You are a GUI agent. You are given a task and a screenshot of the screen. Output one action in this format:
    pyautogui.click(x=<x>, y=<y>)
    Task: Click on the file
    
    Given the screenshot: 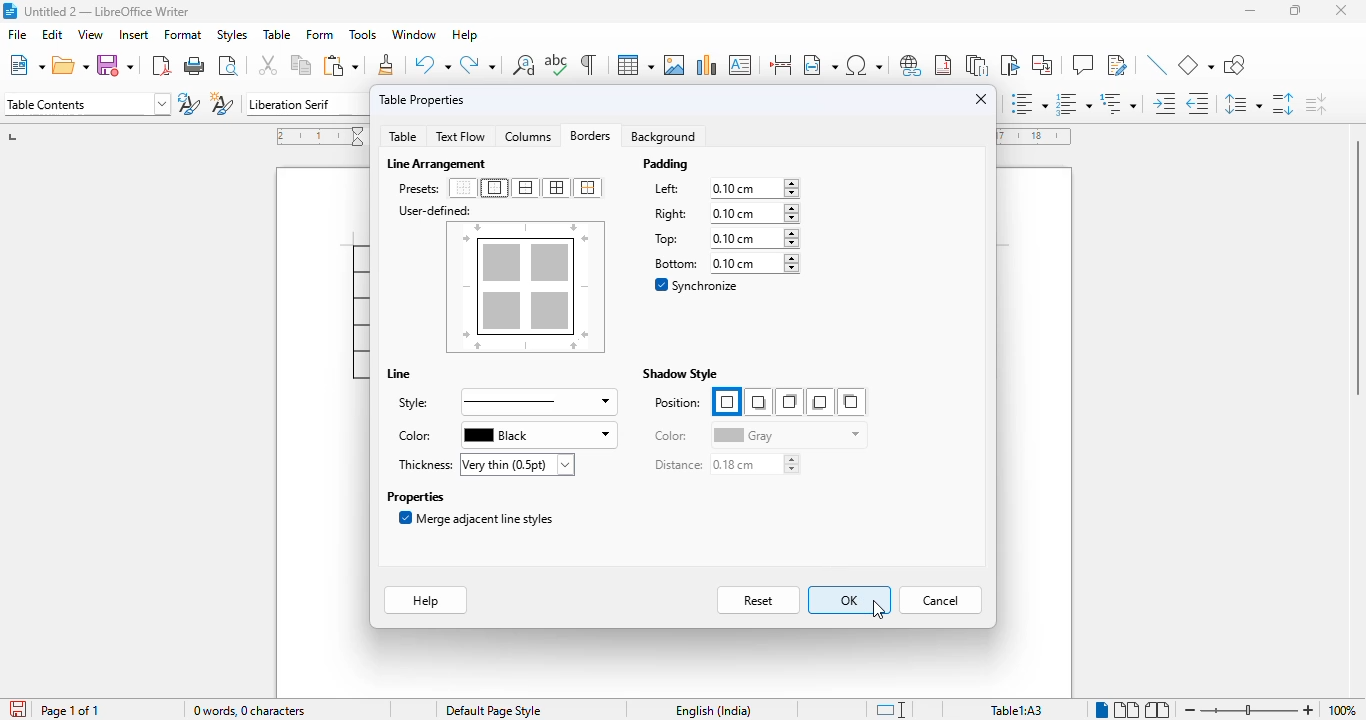 What is the action you would take?
    pyautogui.click(x=16, y=35)
    